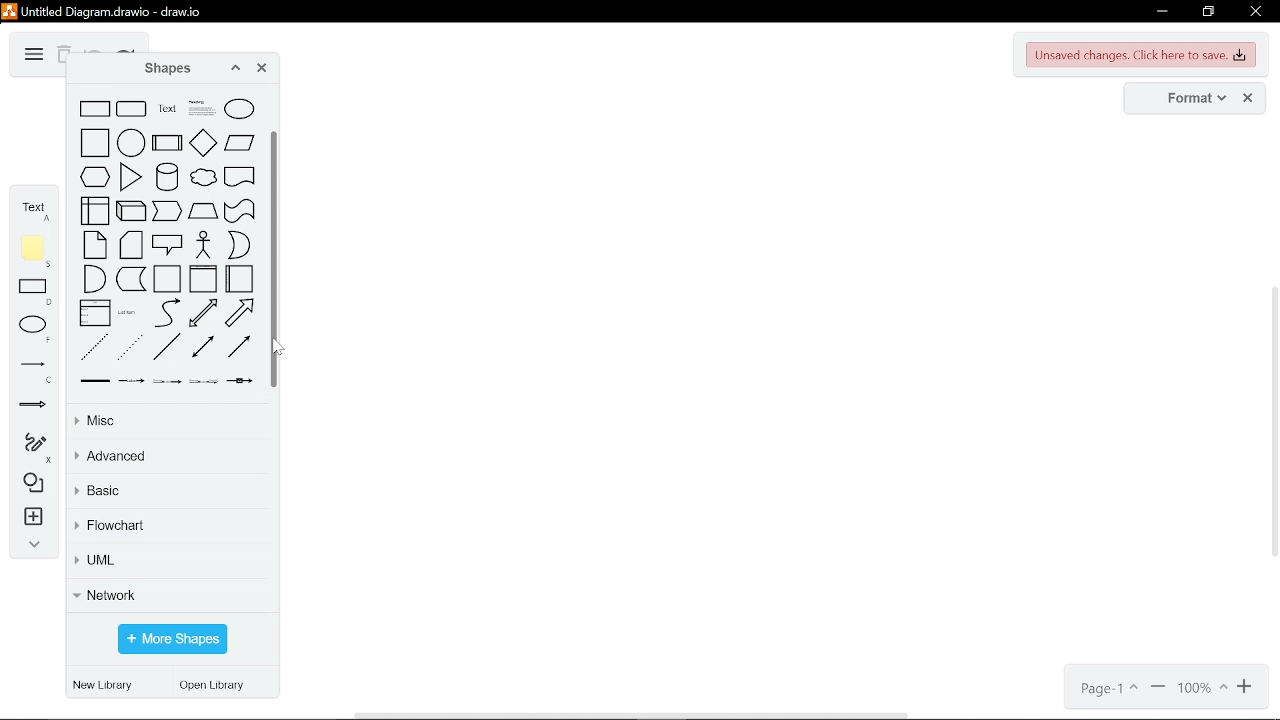  What do you see at coordinates (240, 142) in the screenshot?
I see `parallelogram` at bounding box center [240, 142].